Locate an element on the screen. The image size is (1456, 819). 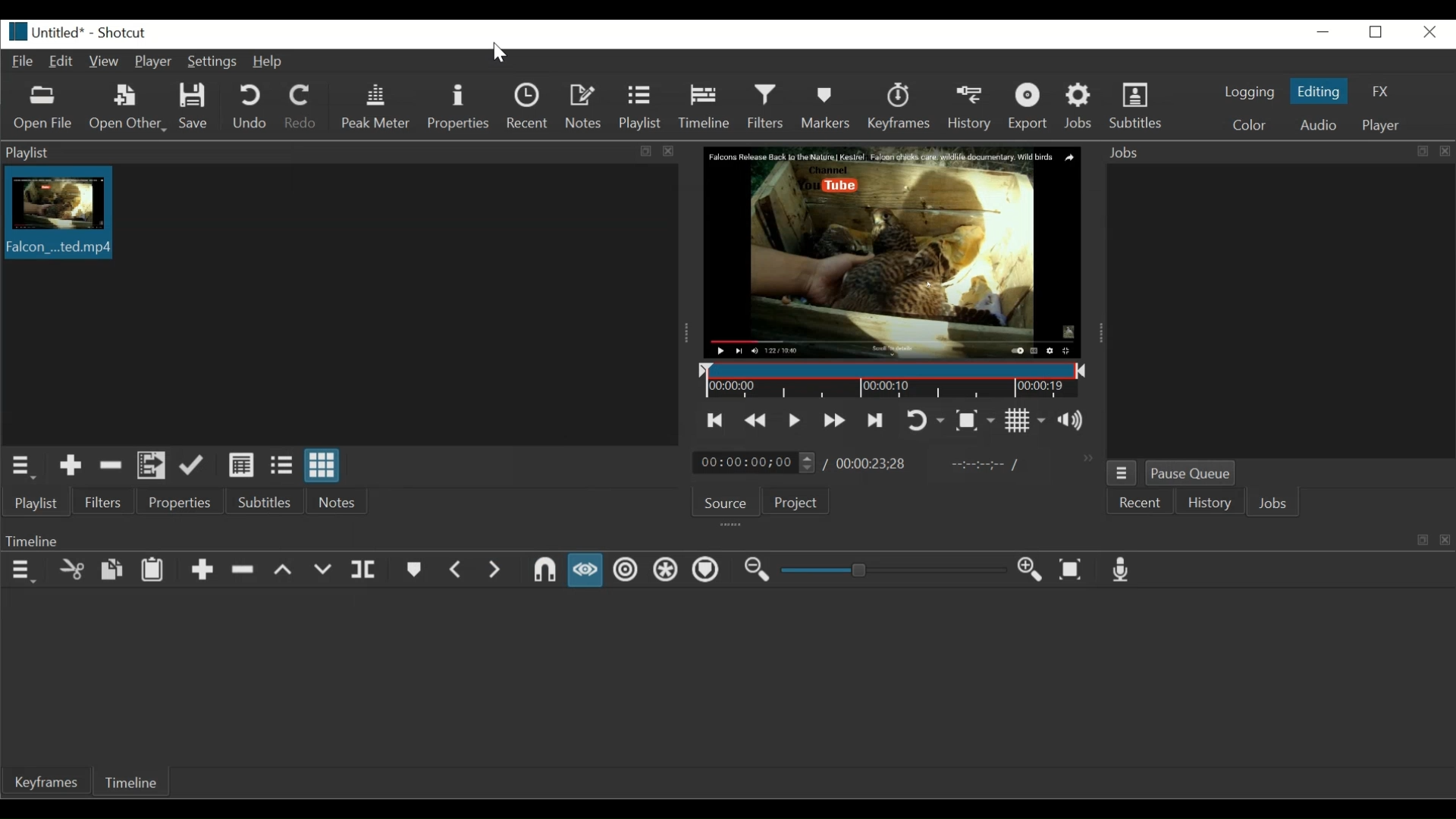
Timeline is located at coordinates (890, 381).